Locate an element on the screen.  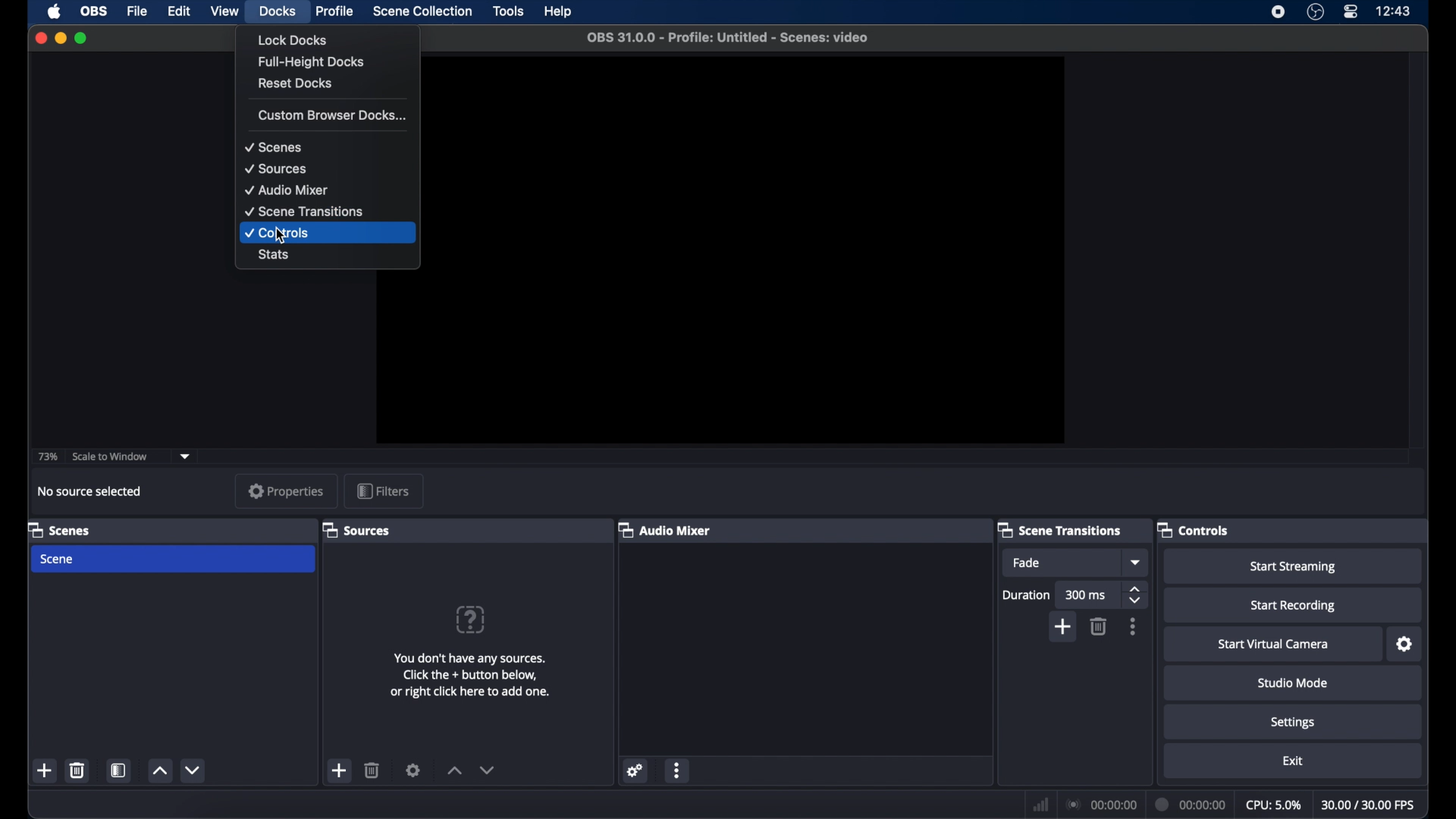
scale to window is located at coordinates (112, 457).